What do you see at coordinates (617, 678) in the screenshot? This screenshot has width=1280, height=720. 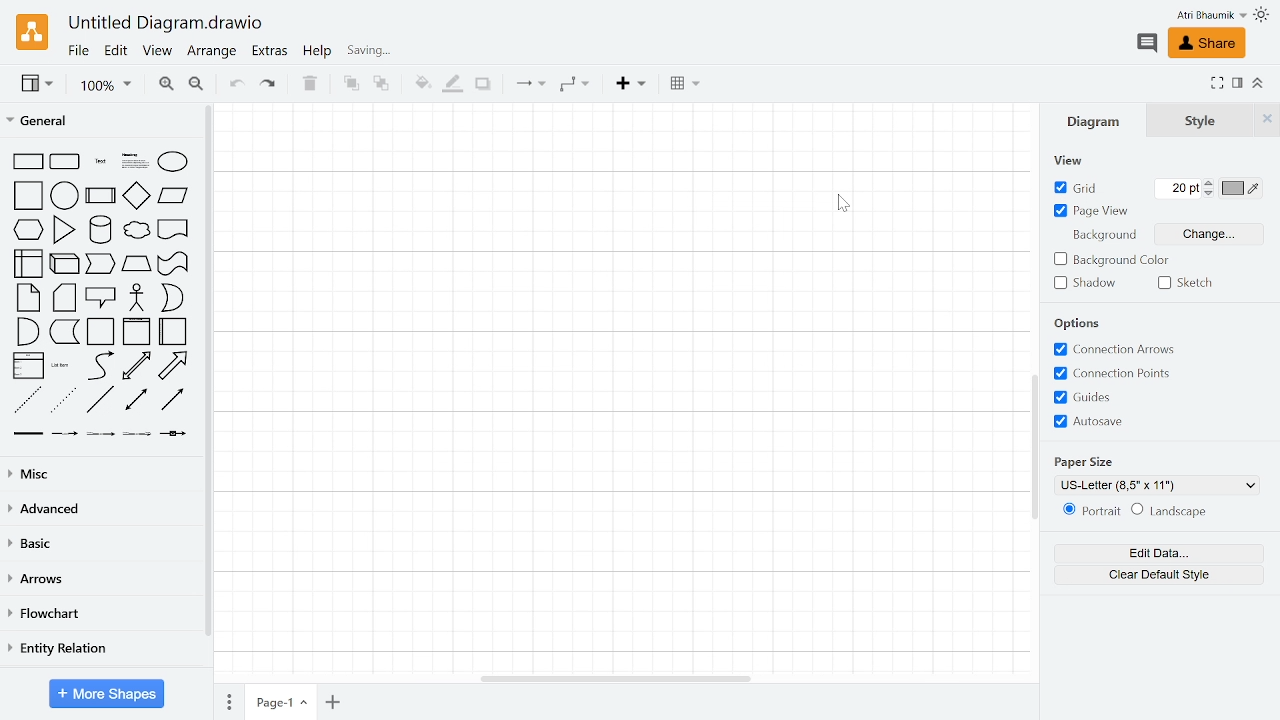 I see `Horizontal scrollbar` at bounding box center [617, 678].